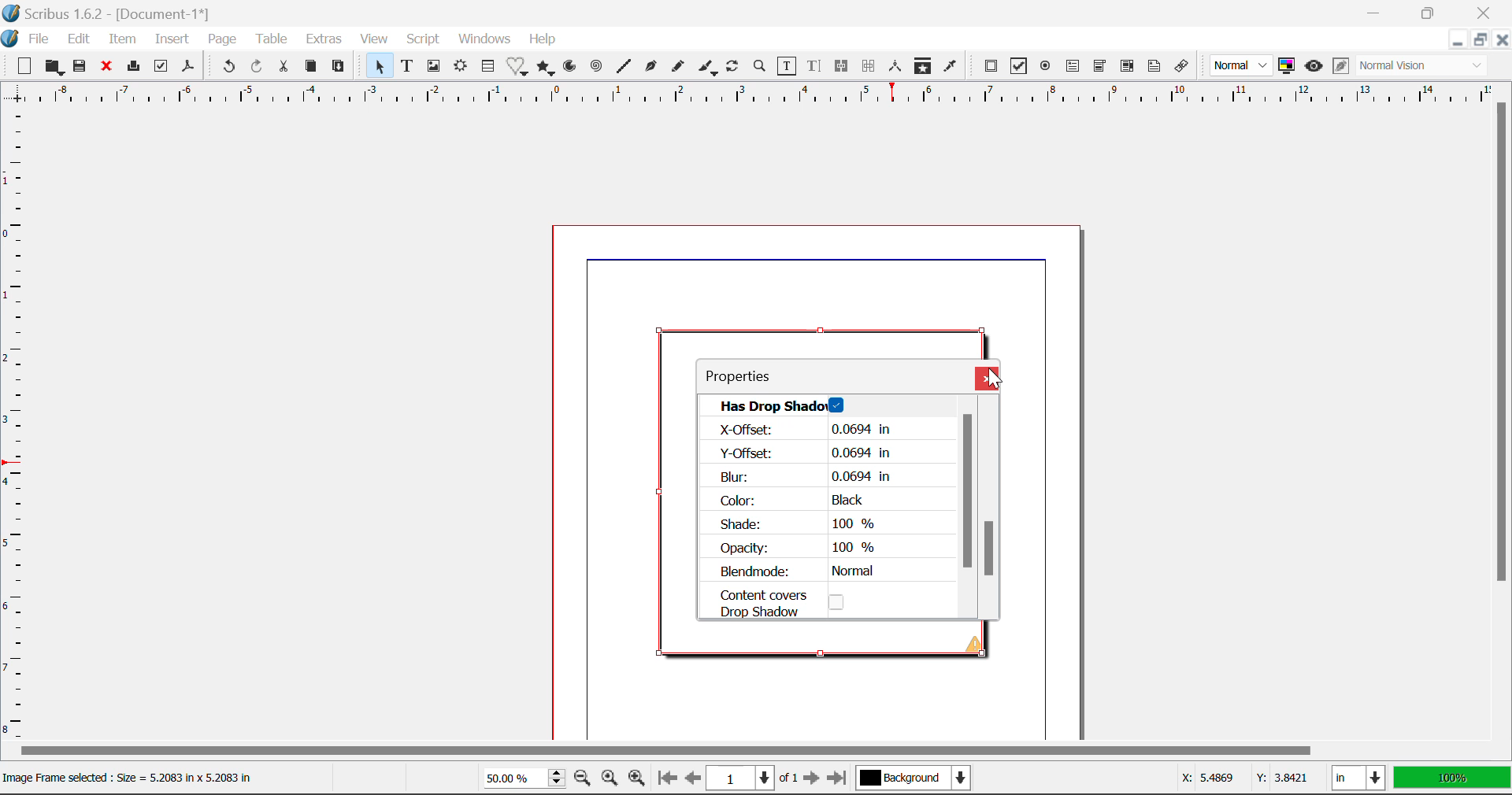 This screenshot has height=795, width=1512. What do you see at coordinates (747, 98) in the screenshot?
I see `Vertical Page Margins` at bounding box center [747, 98].